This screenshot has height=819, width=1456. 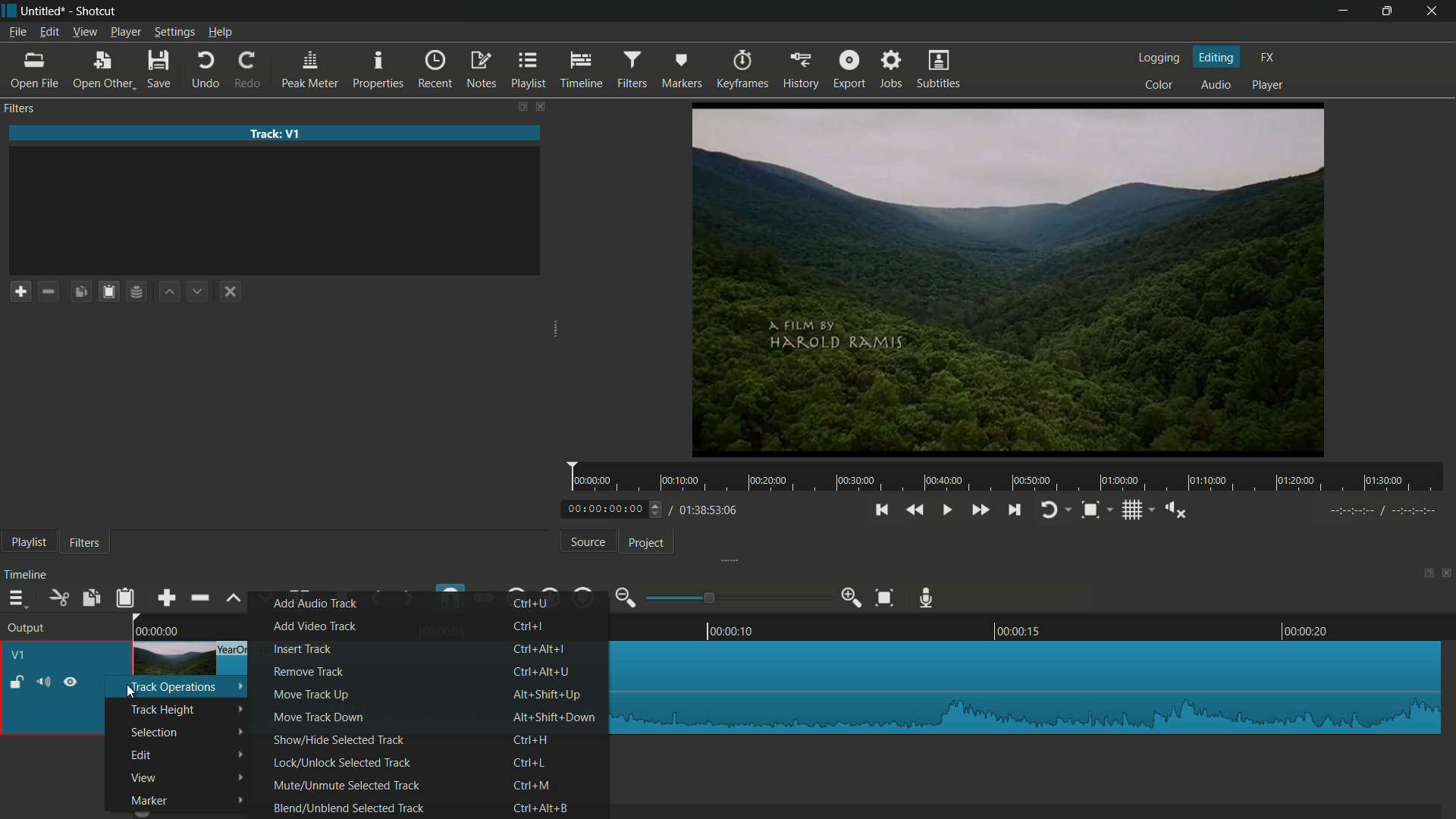 What do you see at coordinates (336, 741) in the screenshot?
I see `show/hide selected track` at bounding box center [336, 741].